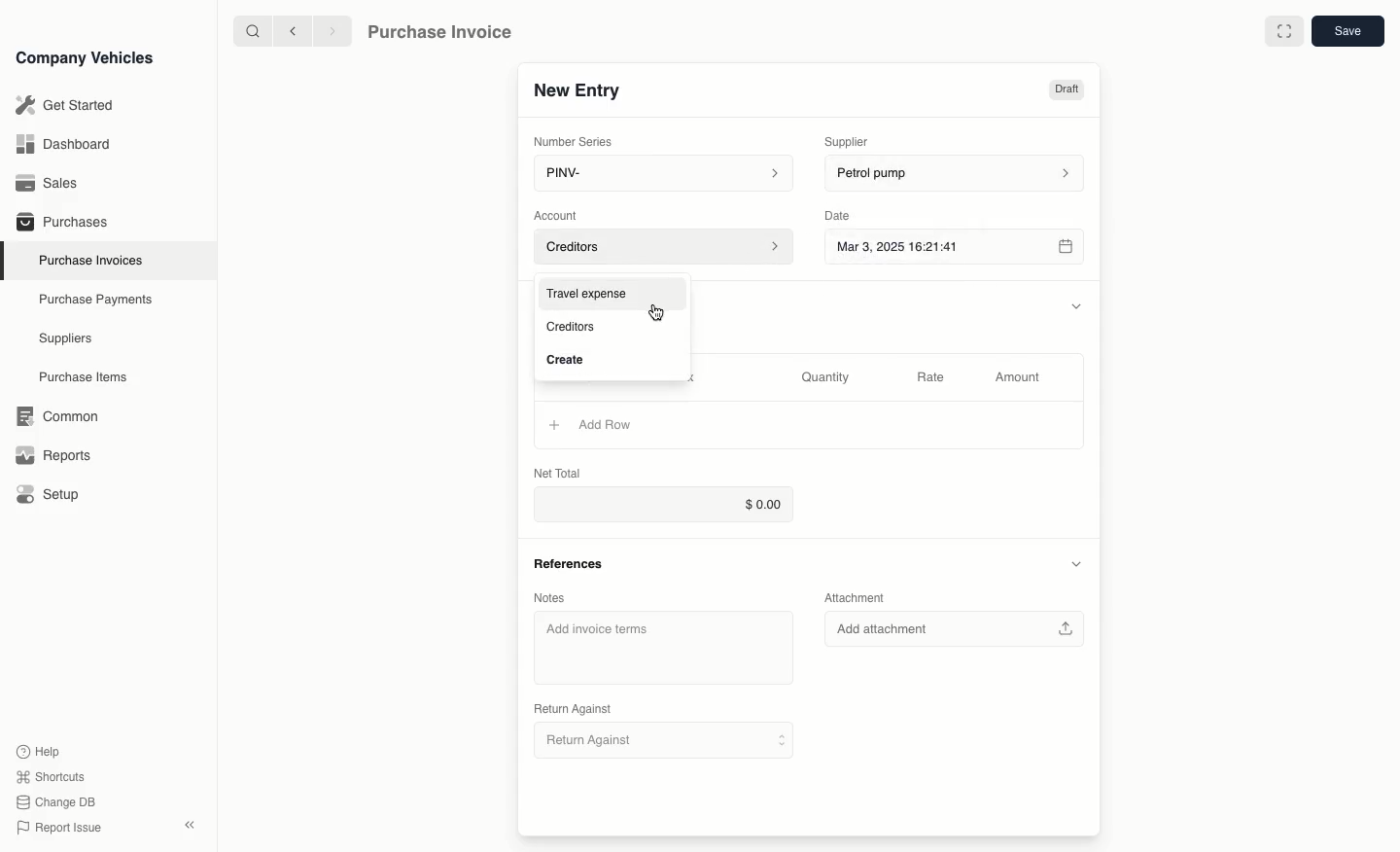  Describe the element at coordinates (935, 248) in the screenshot. I see `Mar 3, 2025 16:21:41` at that location.